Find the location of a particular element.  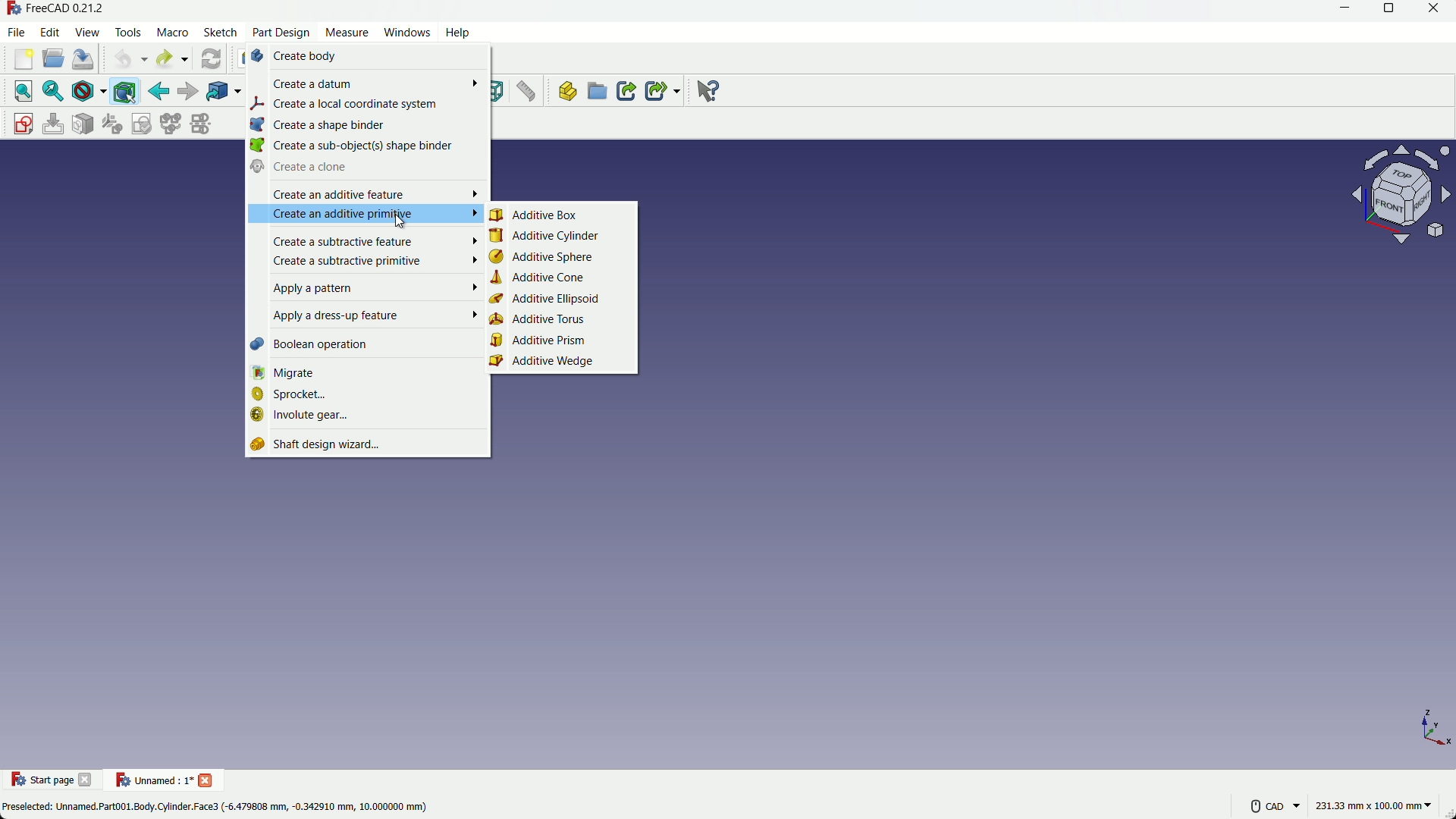

additive torus is located at coordinates (559, 321).